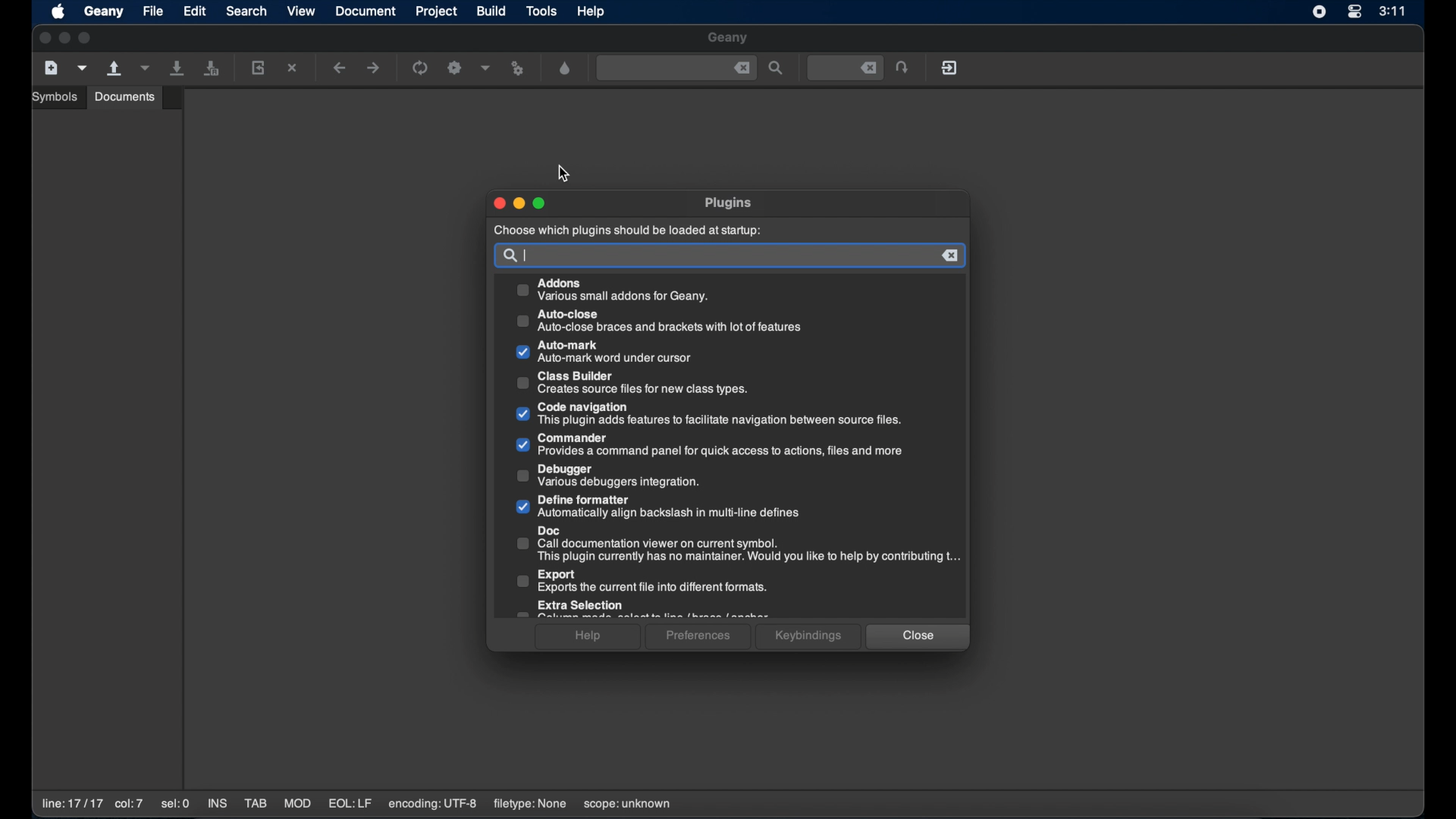  What do you see at coordinates (302, 11) in the screenshot?
I see `view` at bounding box center [302, 11].